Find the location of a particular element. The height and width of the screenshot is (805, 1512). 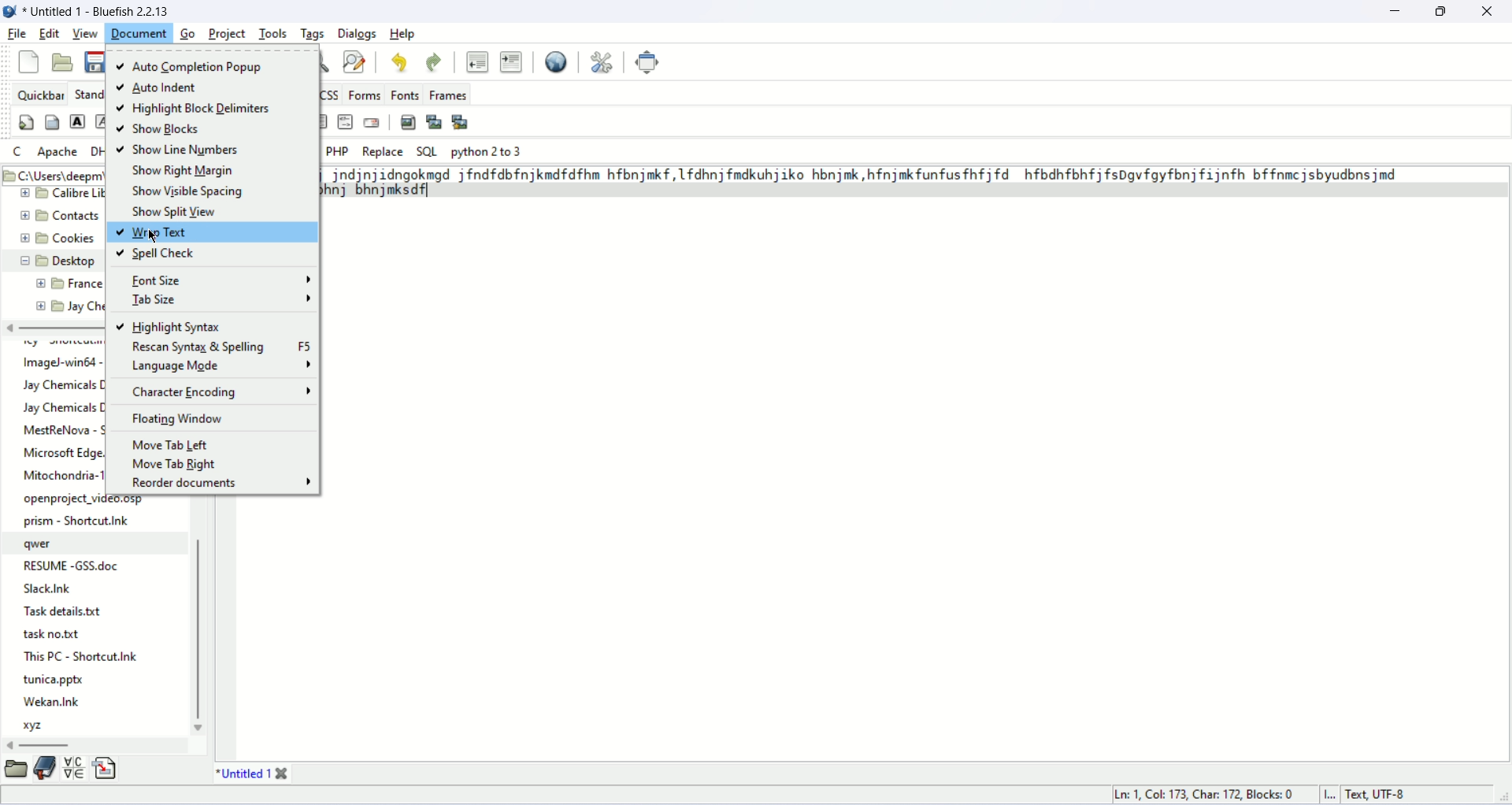

snippet is located at coordinates (105, 766).